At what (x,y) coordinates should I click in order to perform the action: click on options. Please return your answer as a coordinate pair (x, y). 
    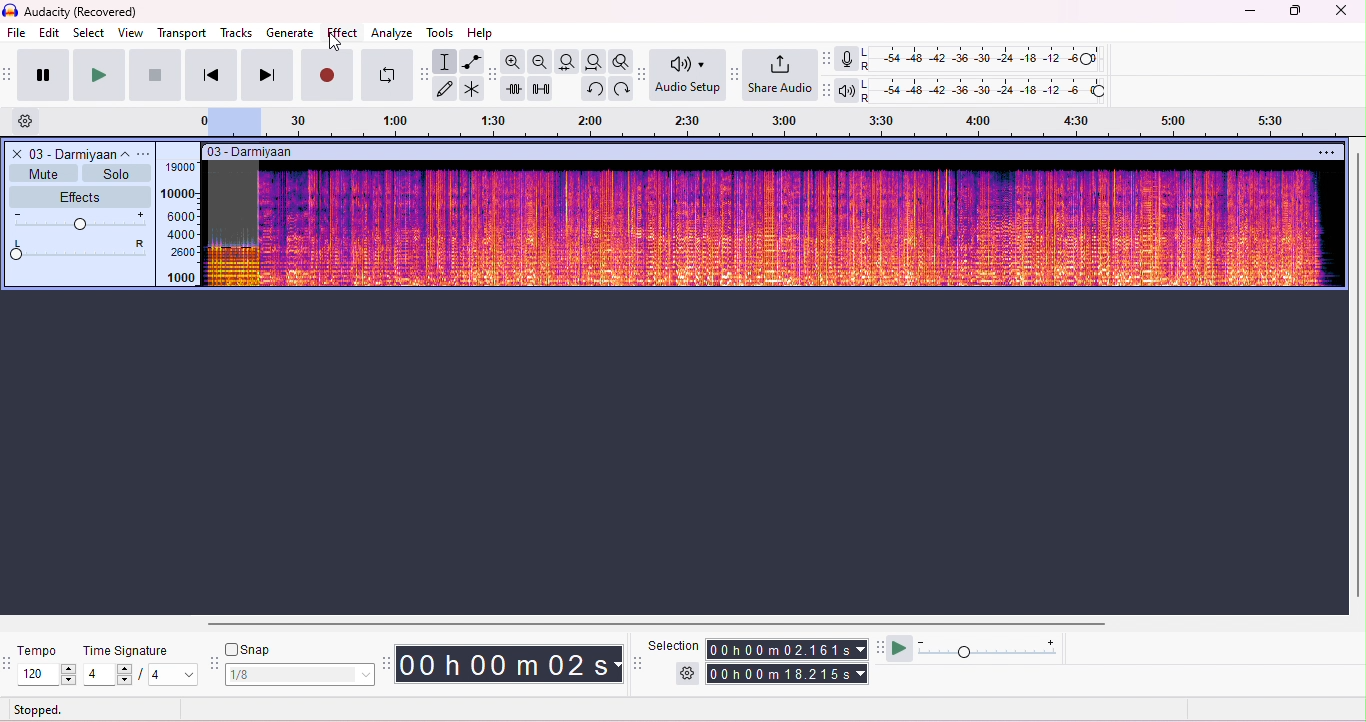
    Looking at the image, I should click on (1325, 152).